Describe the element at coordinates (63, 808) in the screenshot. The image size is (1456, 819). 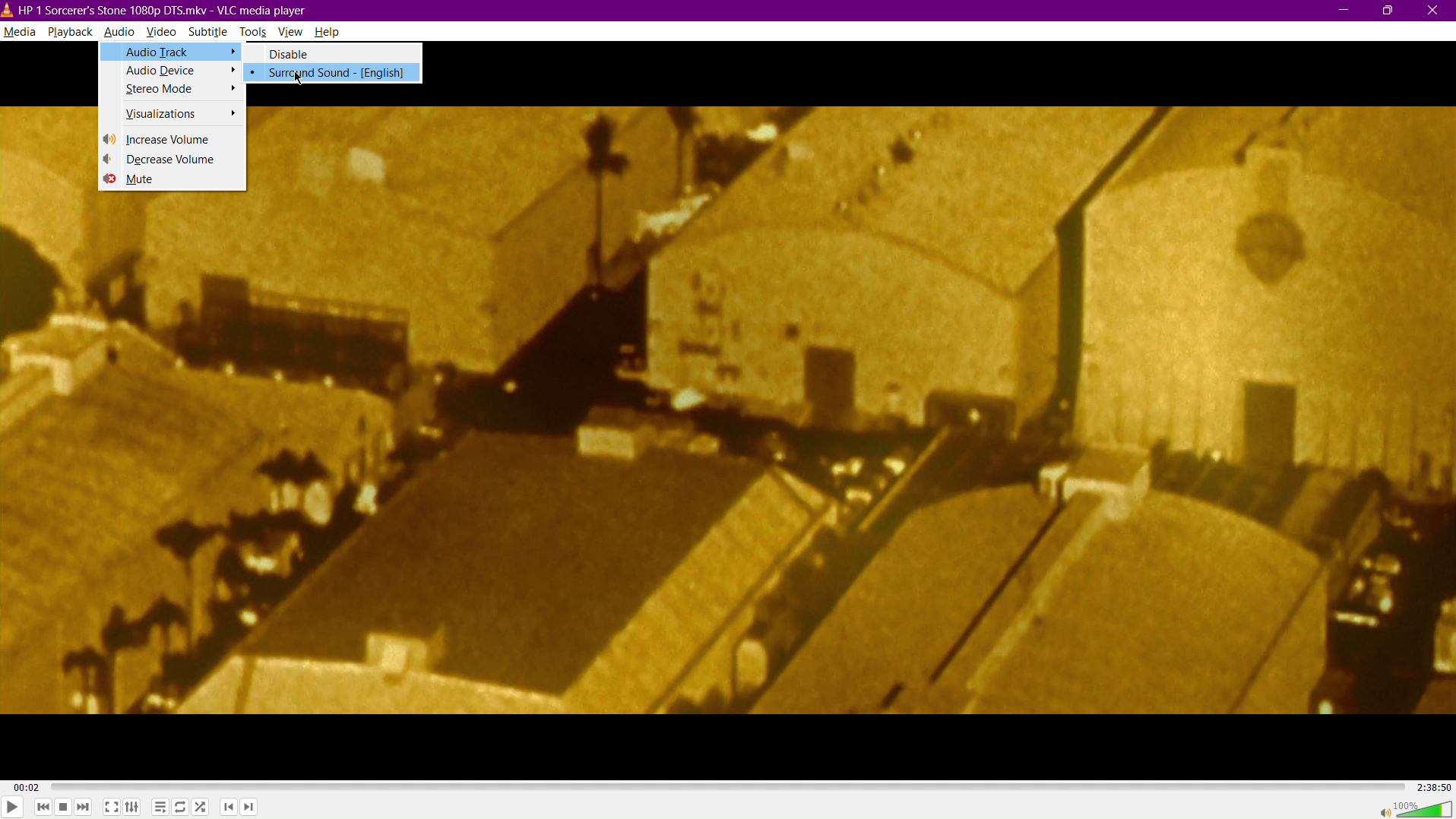
I see `Stop` at that location.